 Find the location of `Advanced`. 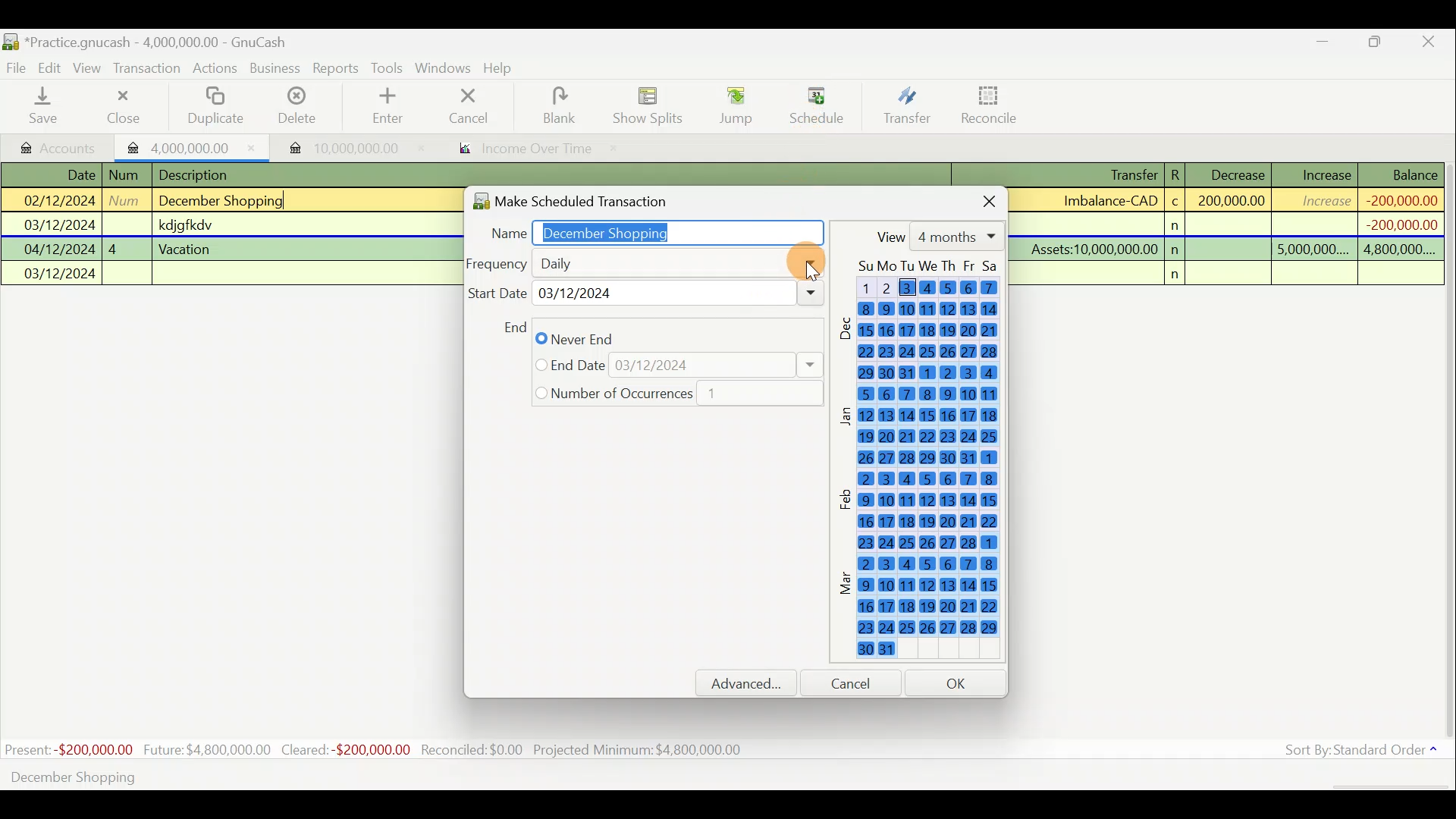

Advanced is located at coordinates (753, 683).